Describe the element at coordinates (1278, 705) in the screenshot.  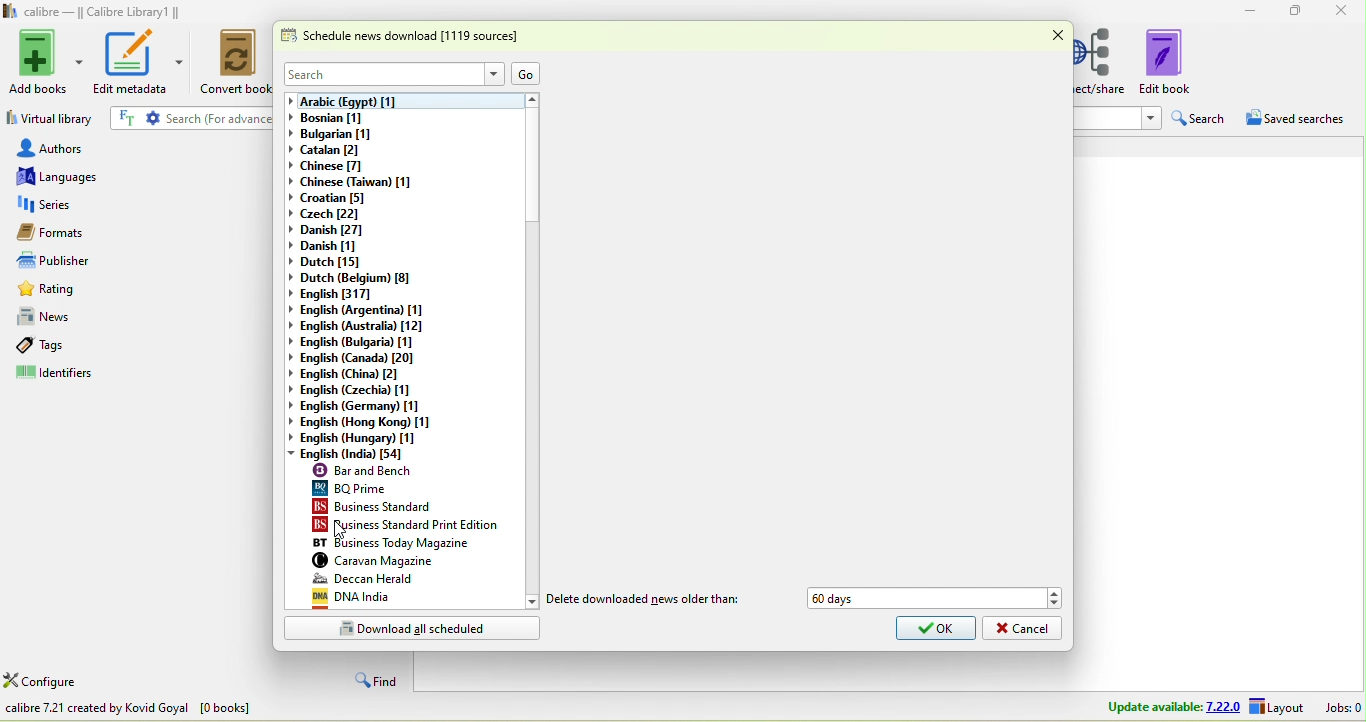
I see `layout` at that location.